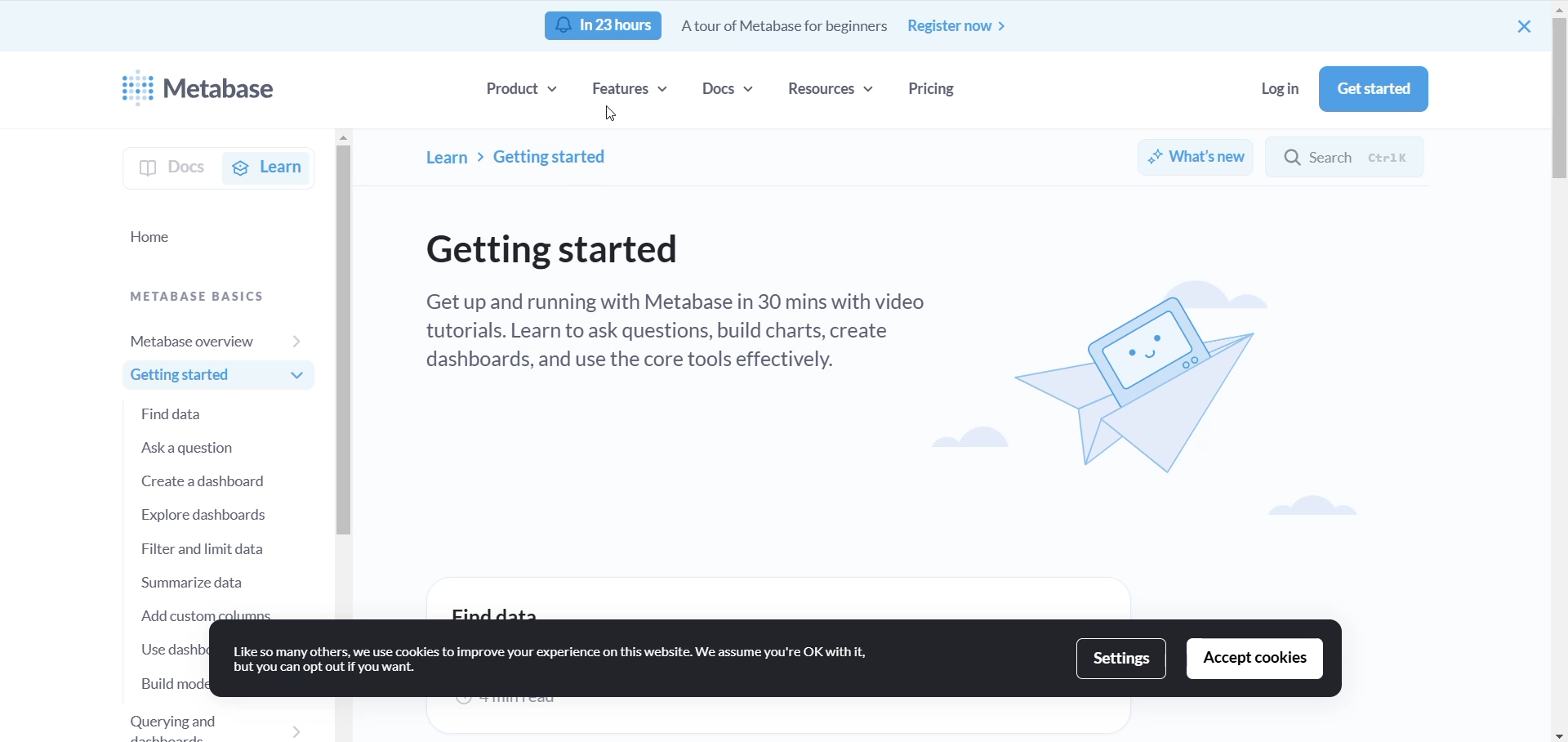 The width and height of the screenshot is (1568, 742). Describe the element at coordinates (347, 343) in the screenshot. I see `SCROLLBAR` at that location.